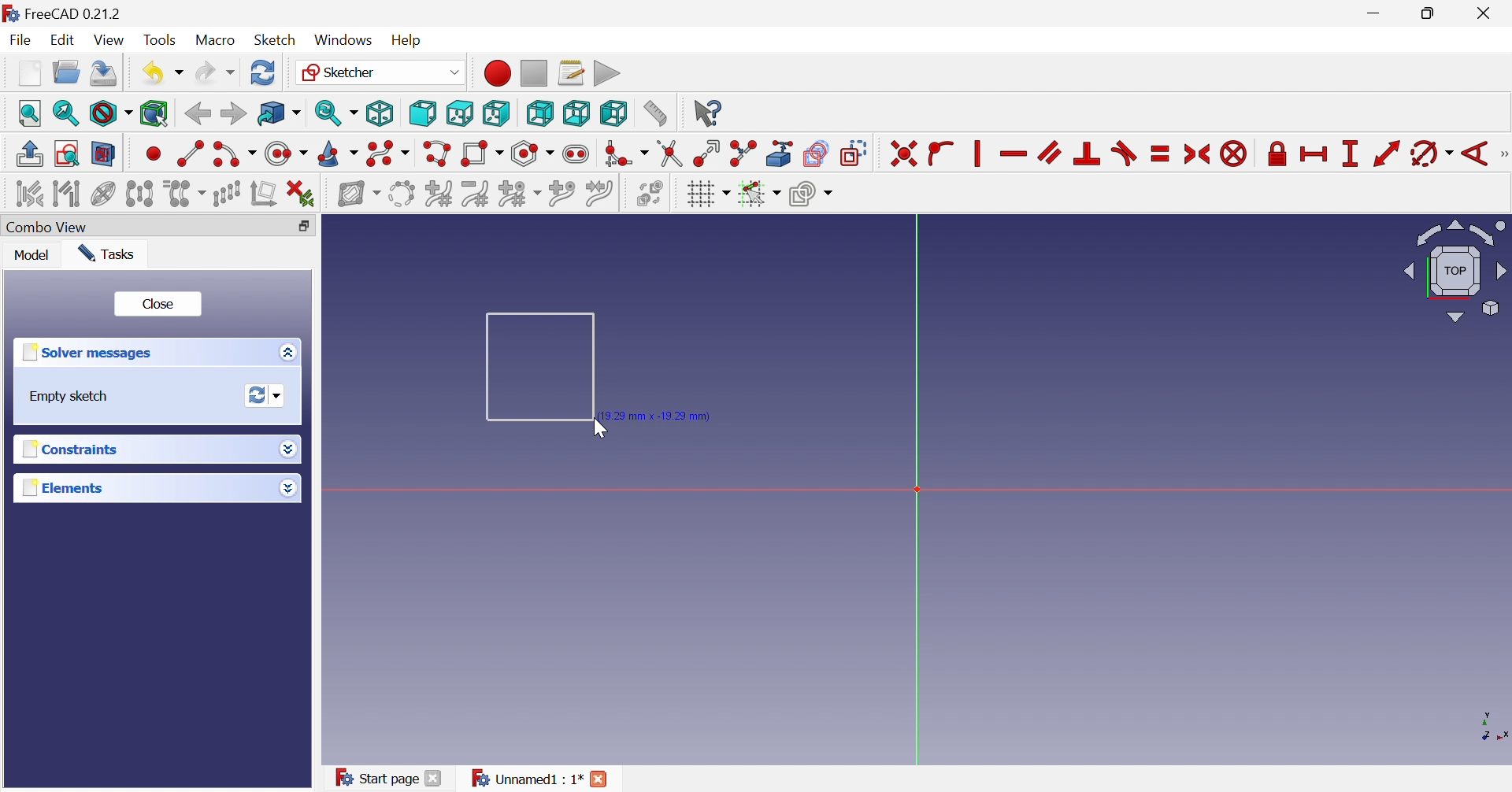 This screenshot has width=1512, height=792. Describe the element at coordinates (1013, 154) in the screenshot. I see `Constrain horizontally` at that location.